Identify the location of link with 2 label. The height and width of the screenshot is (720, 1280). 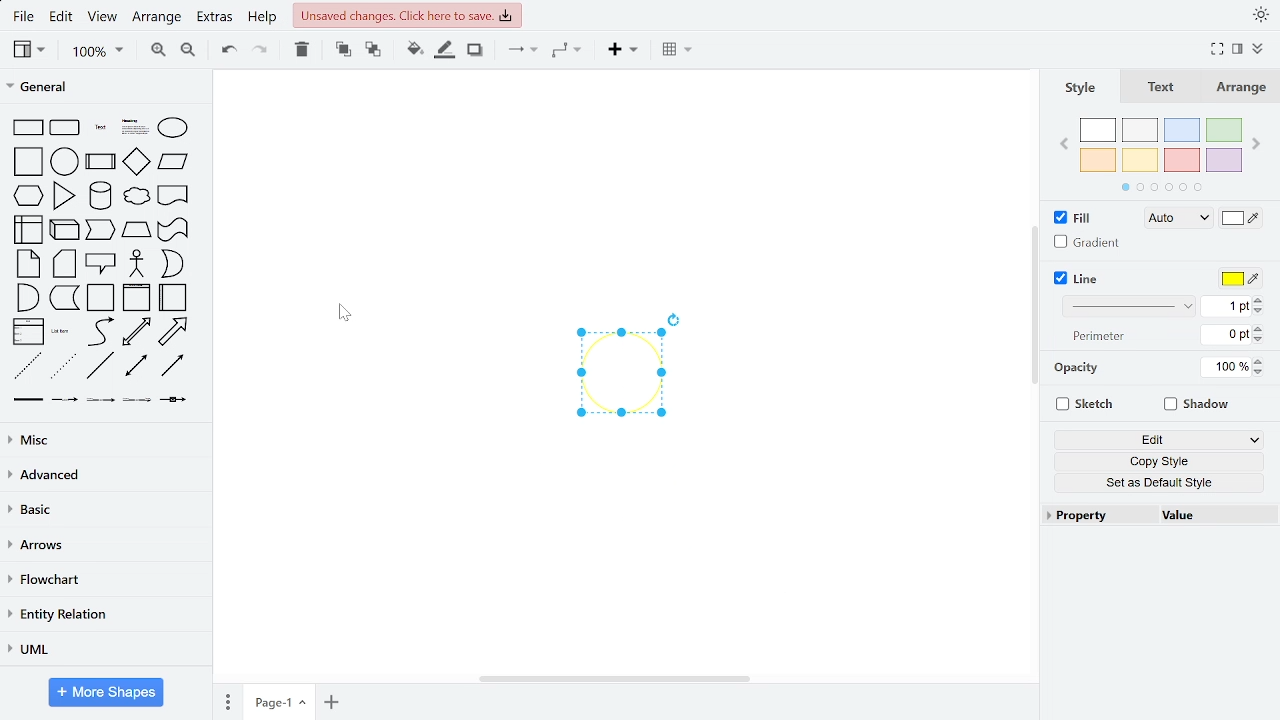
(100, 399).